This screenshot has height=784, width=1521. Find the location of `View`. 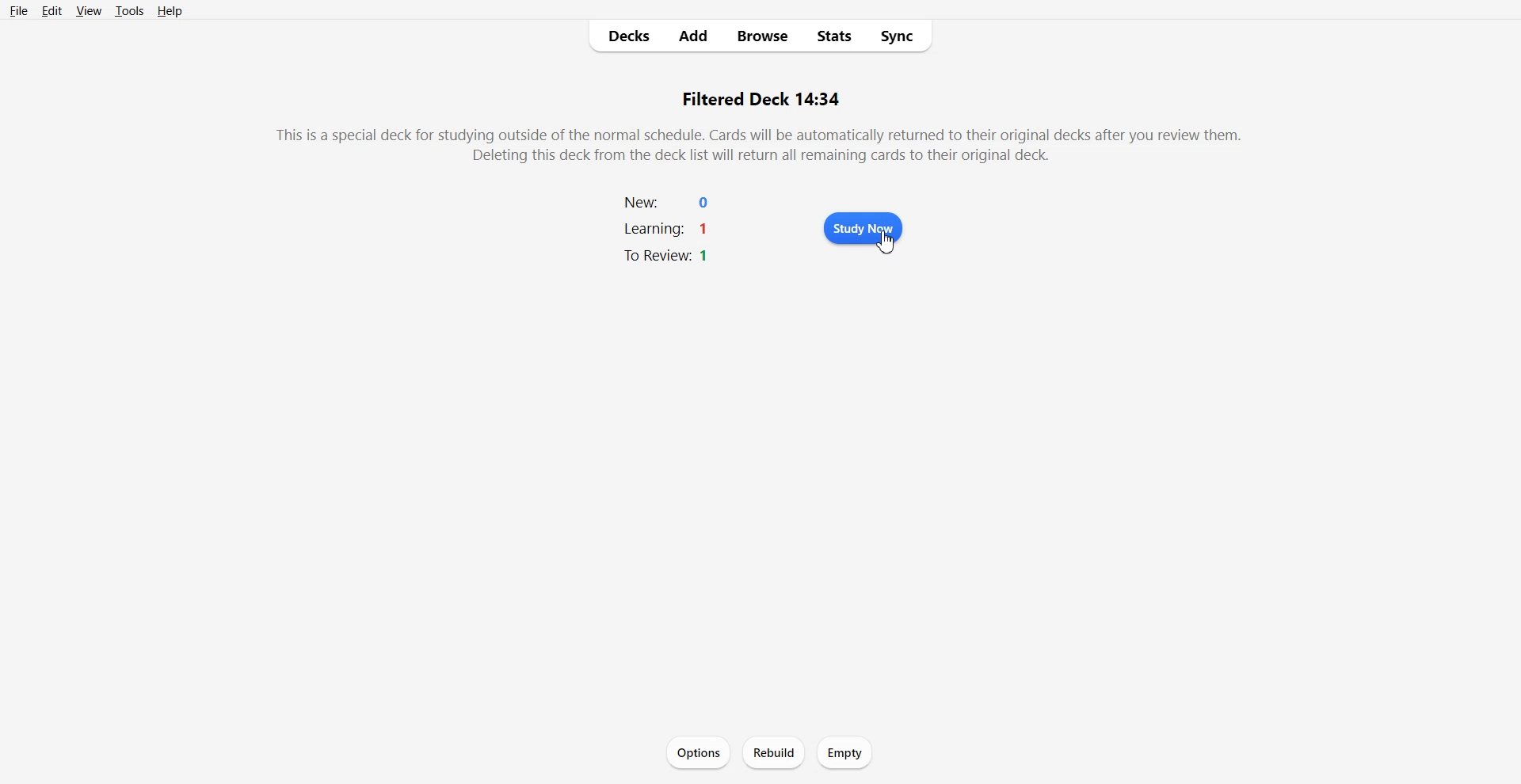

View is located at coordinates (90, 10).